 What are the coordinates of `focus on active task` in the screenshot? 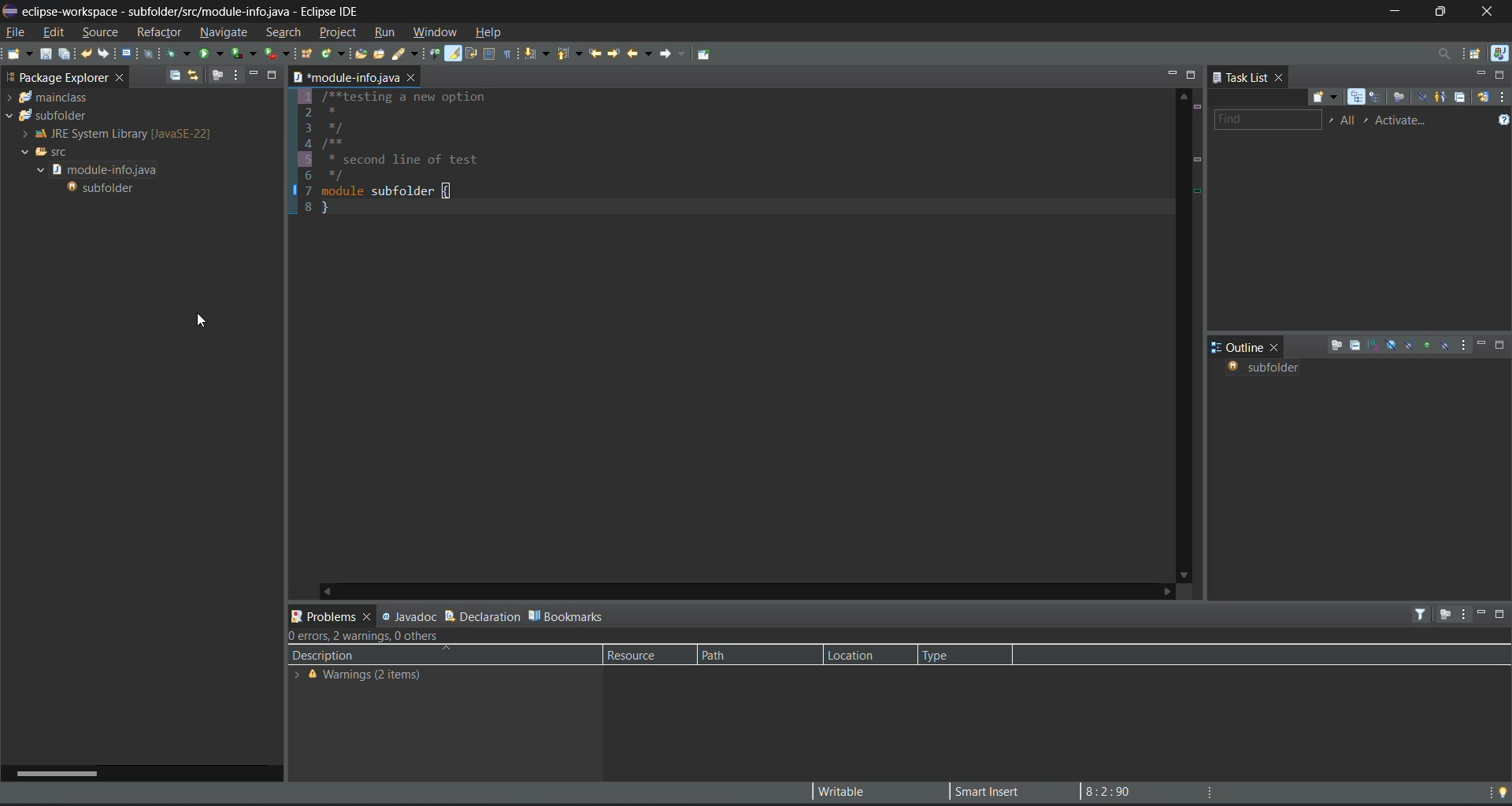 It's located at (219, 74).